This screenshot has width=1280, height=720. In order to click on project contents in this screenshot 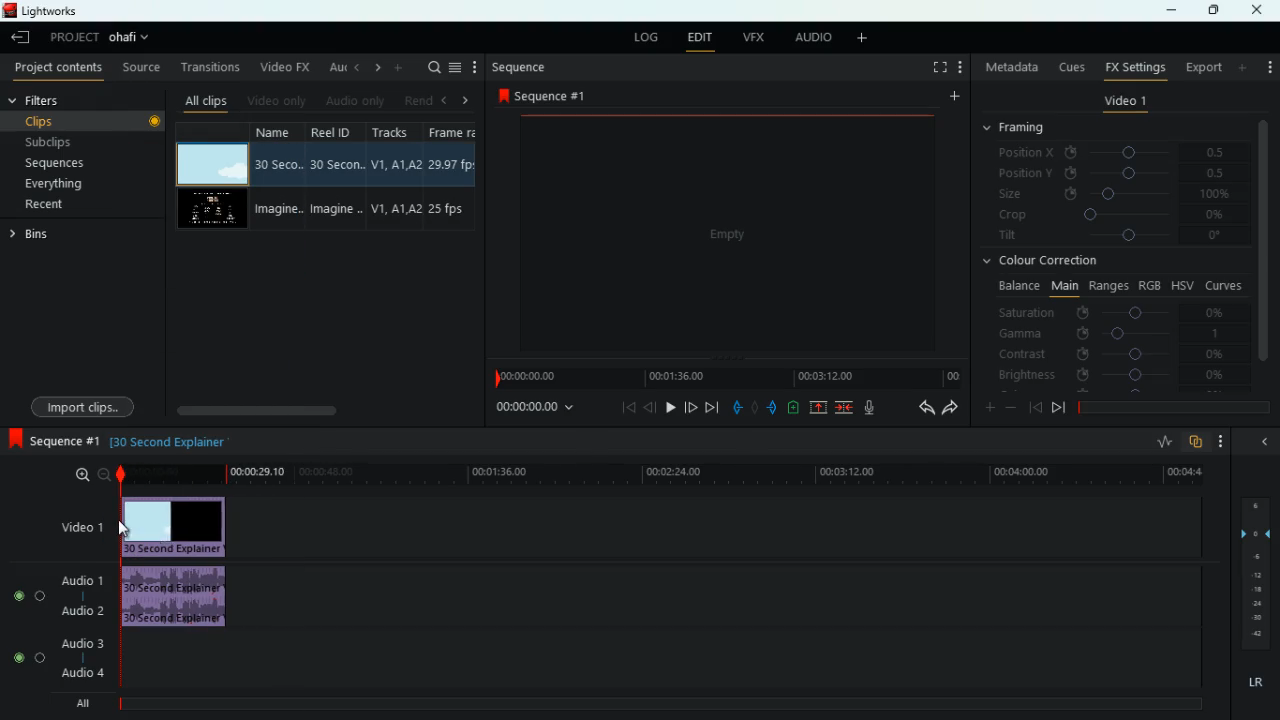, I will do `click(56, 69)`.